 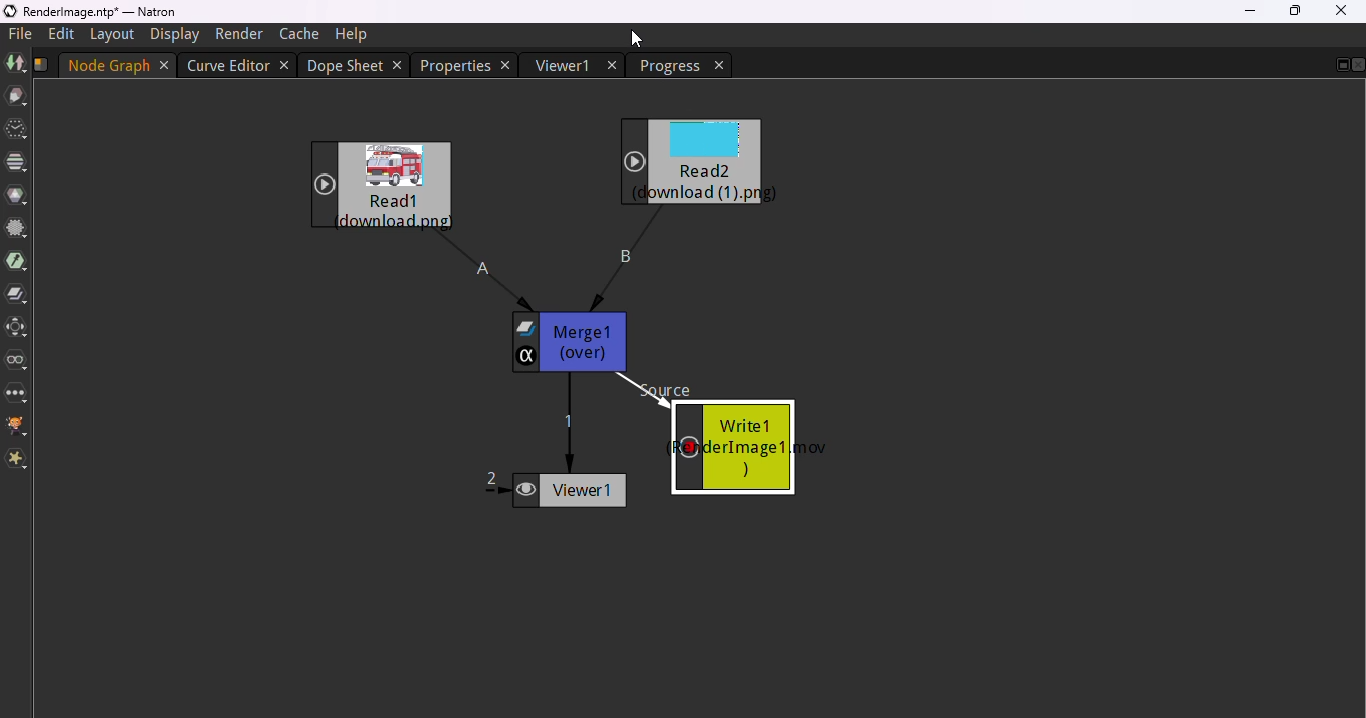 I want to click on display, so click(x=176, y=34).